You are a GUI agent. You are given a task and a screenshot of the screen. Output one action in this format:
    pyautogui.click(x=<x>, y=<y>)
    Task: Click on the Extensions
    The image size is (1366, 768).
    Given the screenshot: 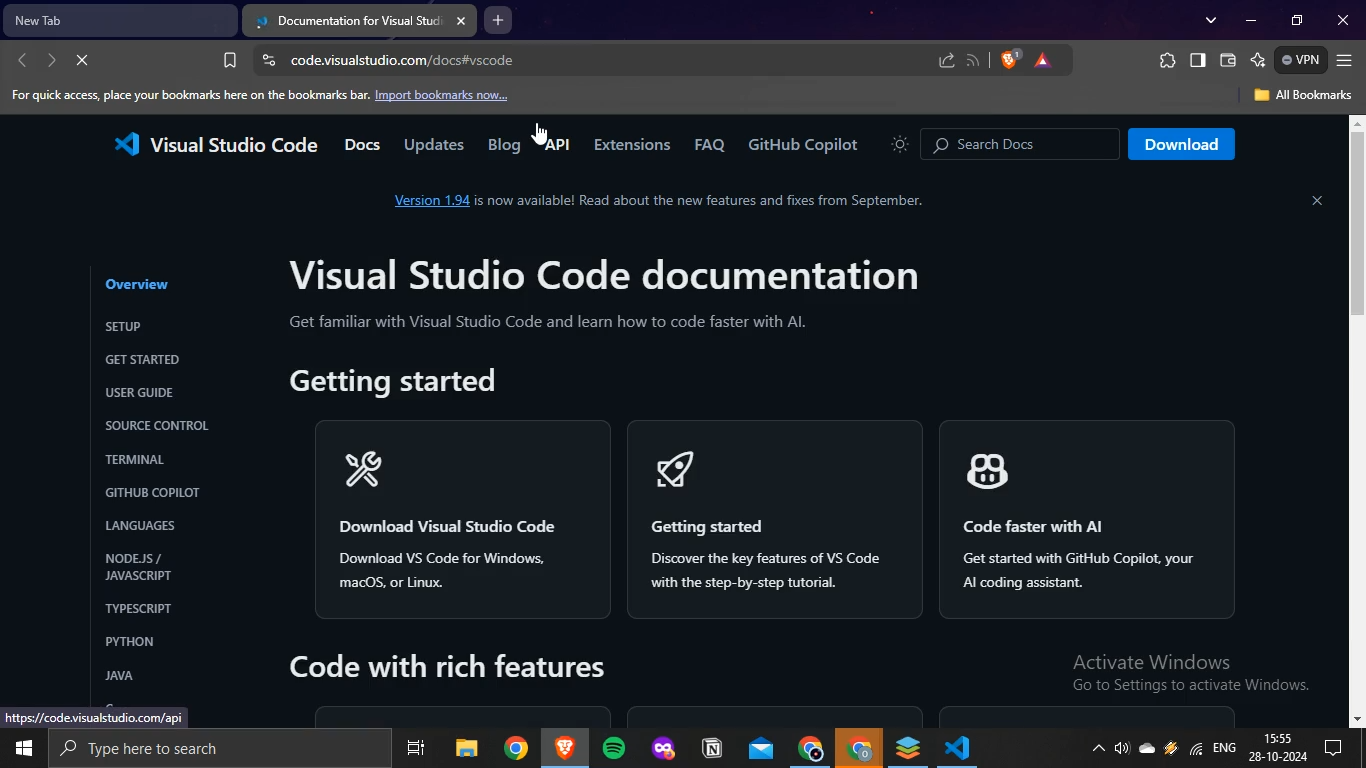 What is the action you would take?
    pyautogui.click(x=629, y=145)
    